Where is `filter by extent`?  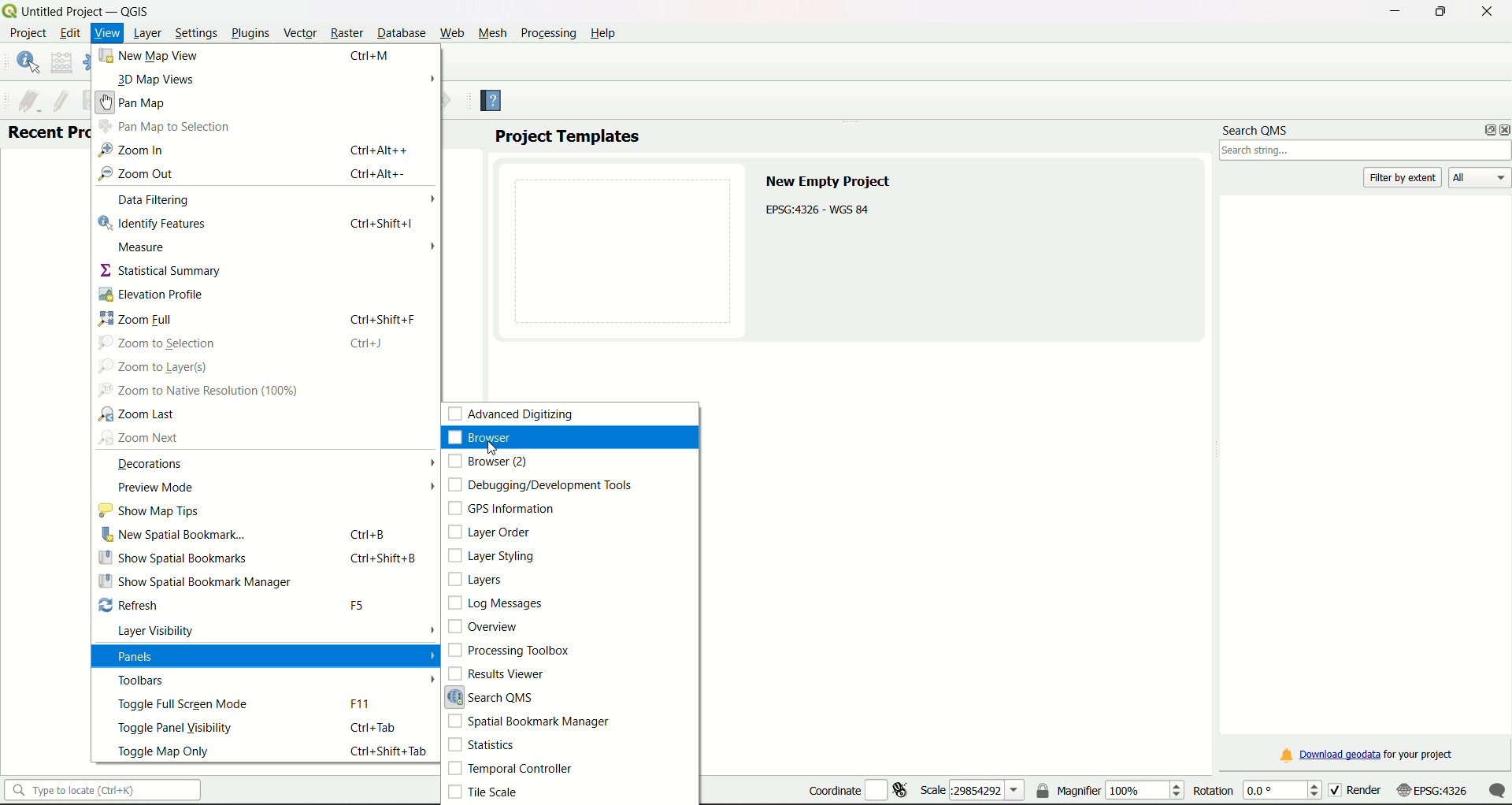 filter by extent is located at coordinates (1404, 176).